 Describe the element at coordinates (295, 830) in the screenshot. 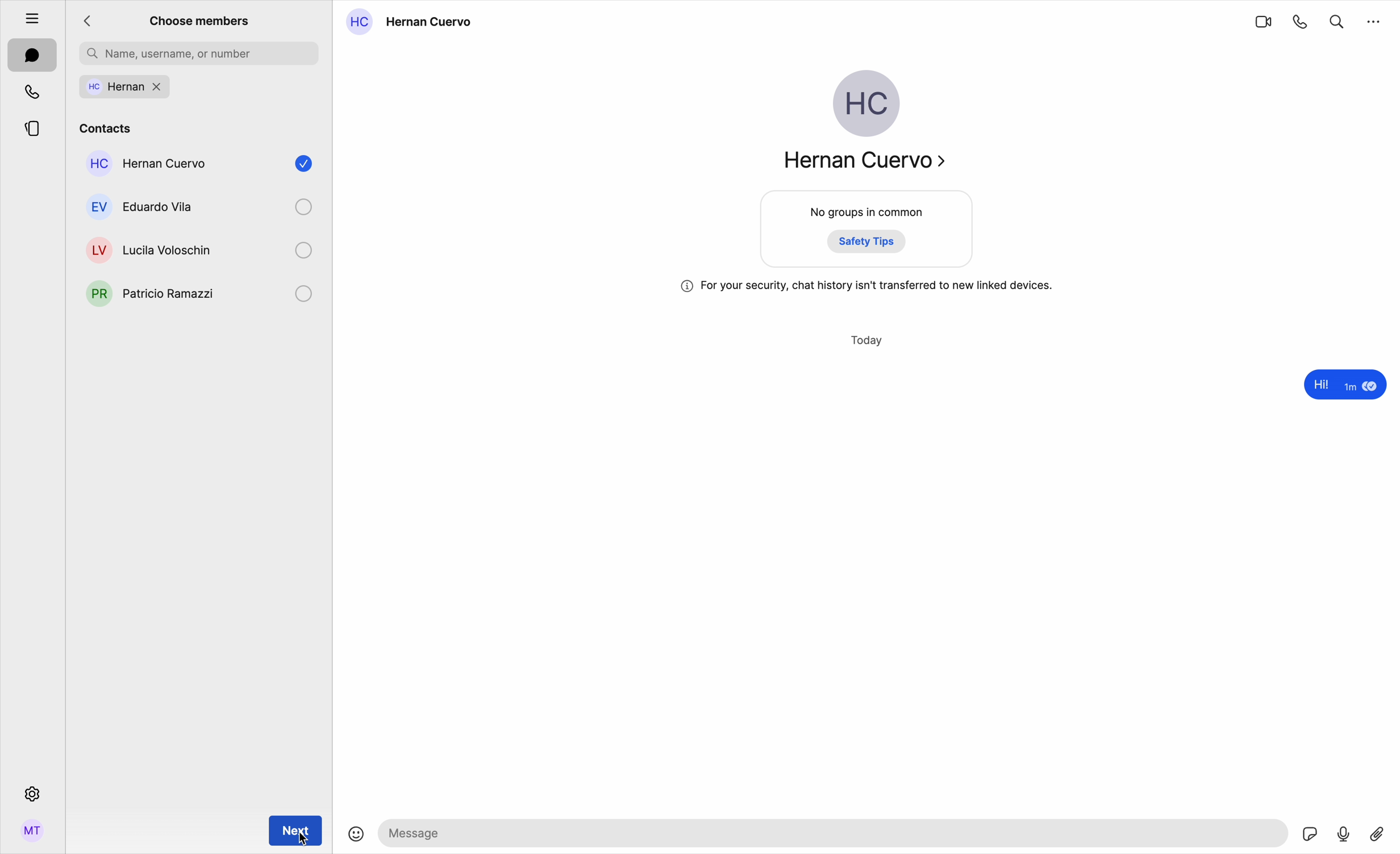

I see `cursor on next button` at that location.